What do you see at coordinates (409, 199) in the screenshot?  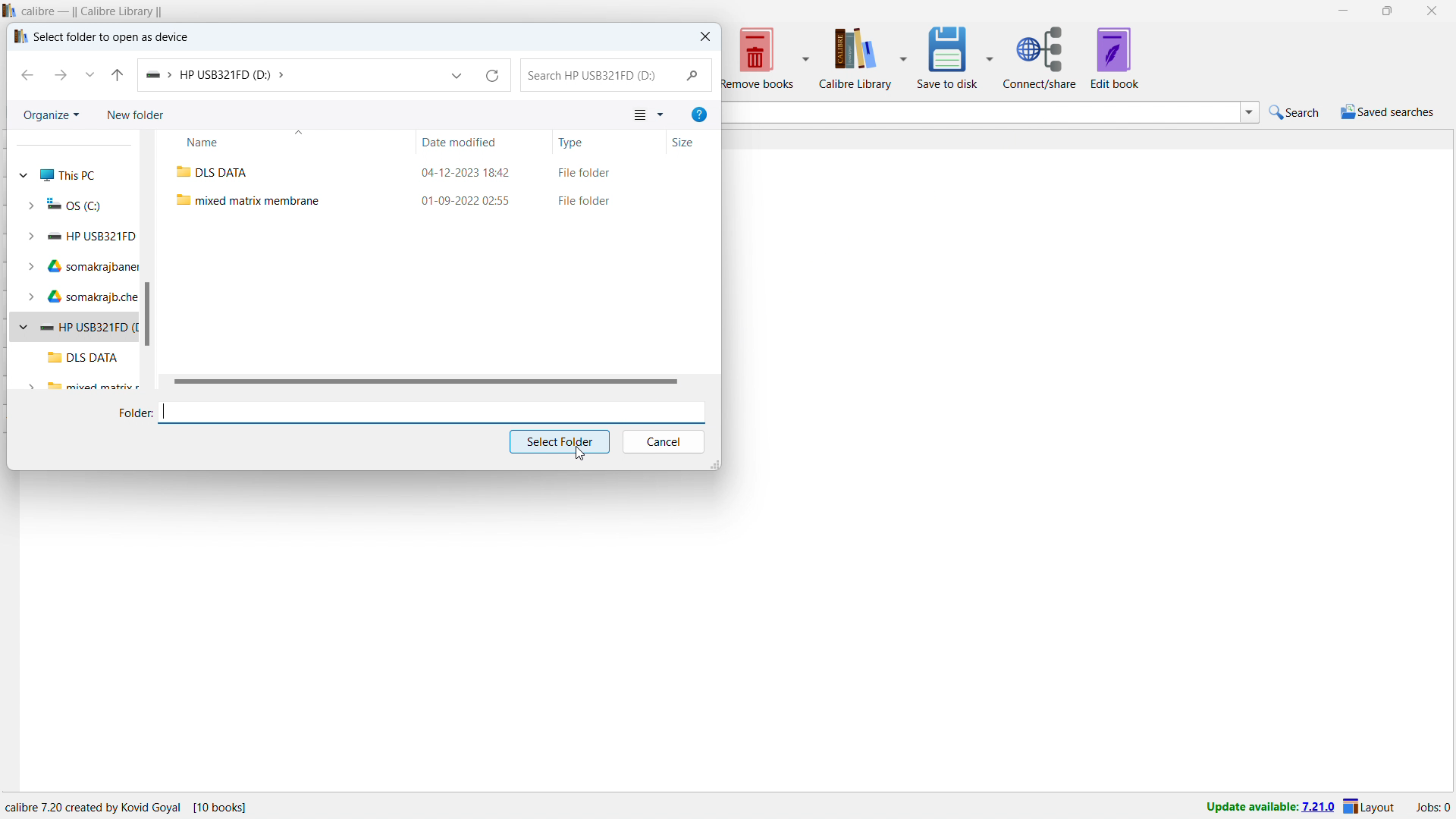 I see `mixed matrix membrane folder` at bounding box center [409, 199].